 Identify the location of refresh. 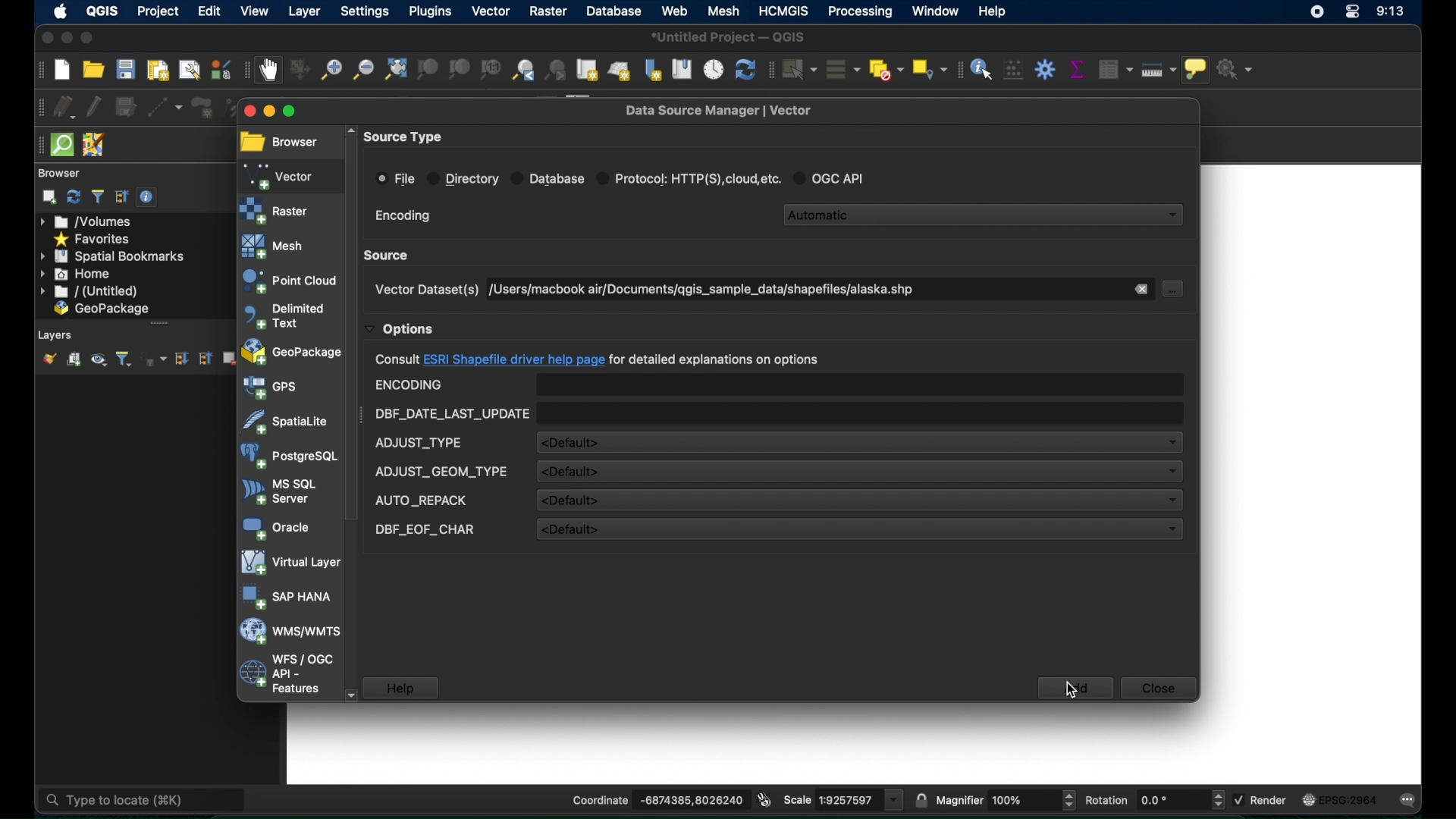
(744, 69).